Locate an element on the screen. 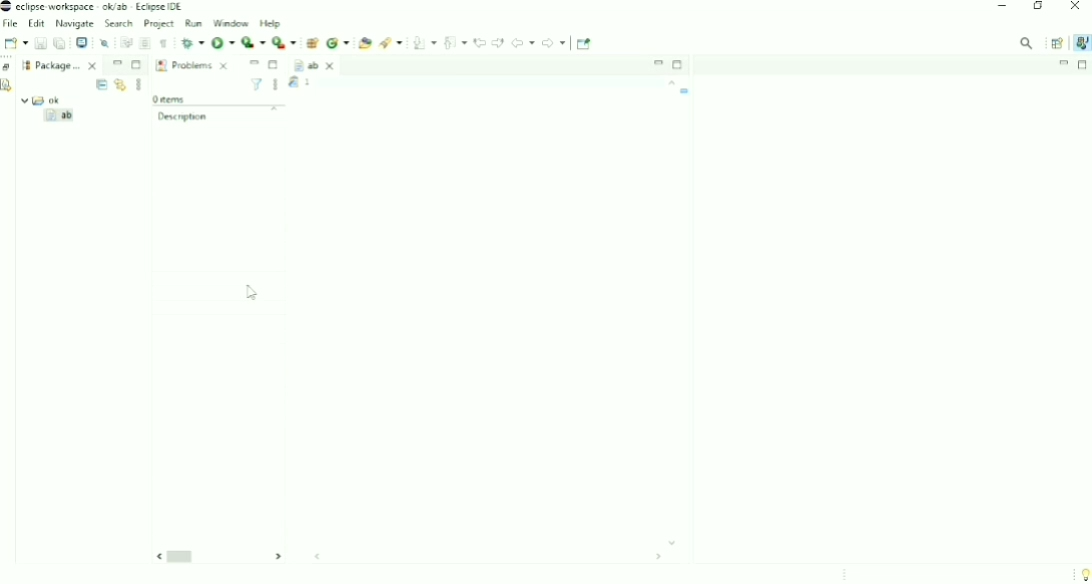  Minimize is located at coordinates (117, 64).